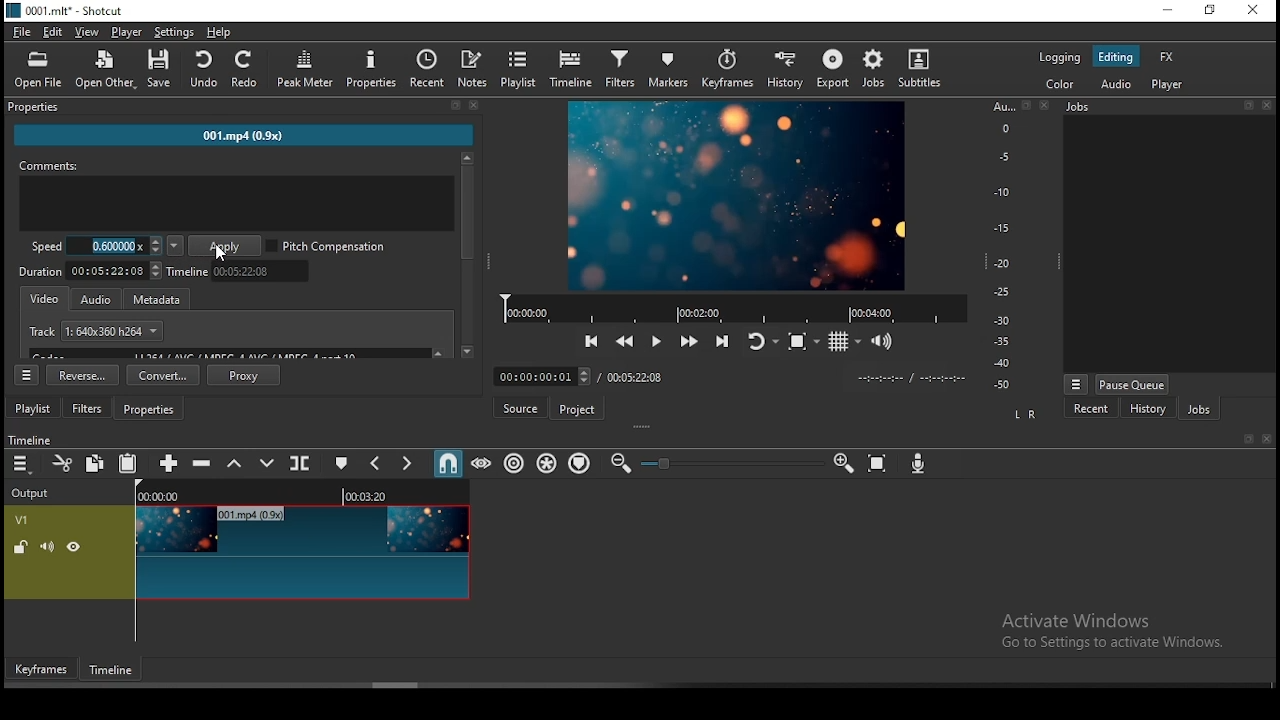 This screenshot has width=1280, height=720. What do you see at coordinates (842, 460) in the screenshot?
I see `zoom timeline In` at bounding box center [842, 460].